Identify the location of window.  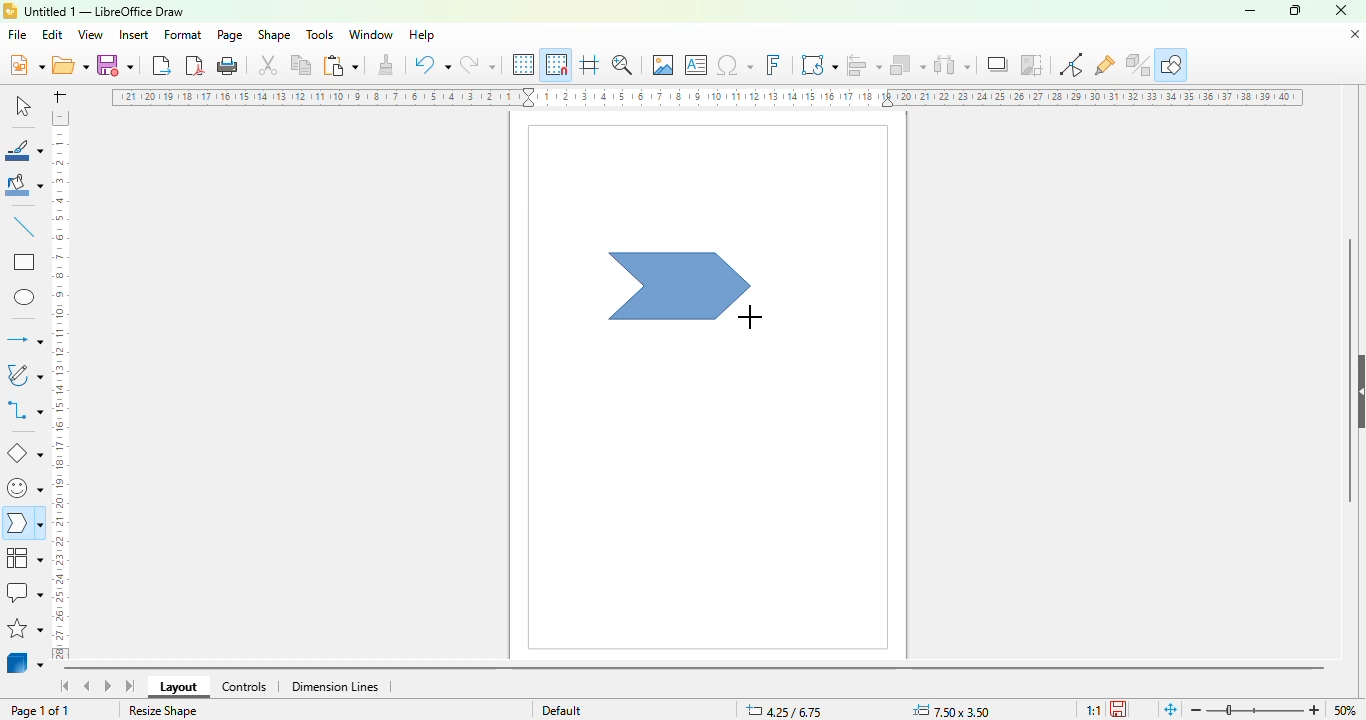
(371, 35).